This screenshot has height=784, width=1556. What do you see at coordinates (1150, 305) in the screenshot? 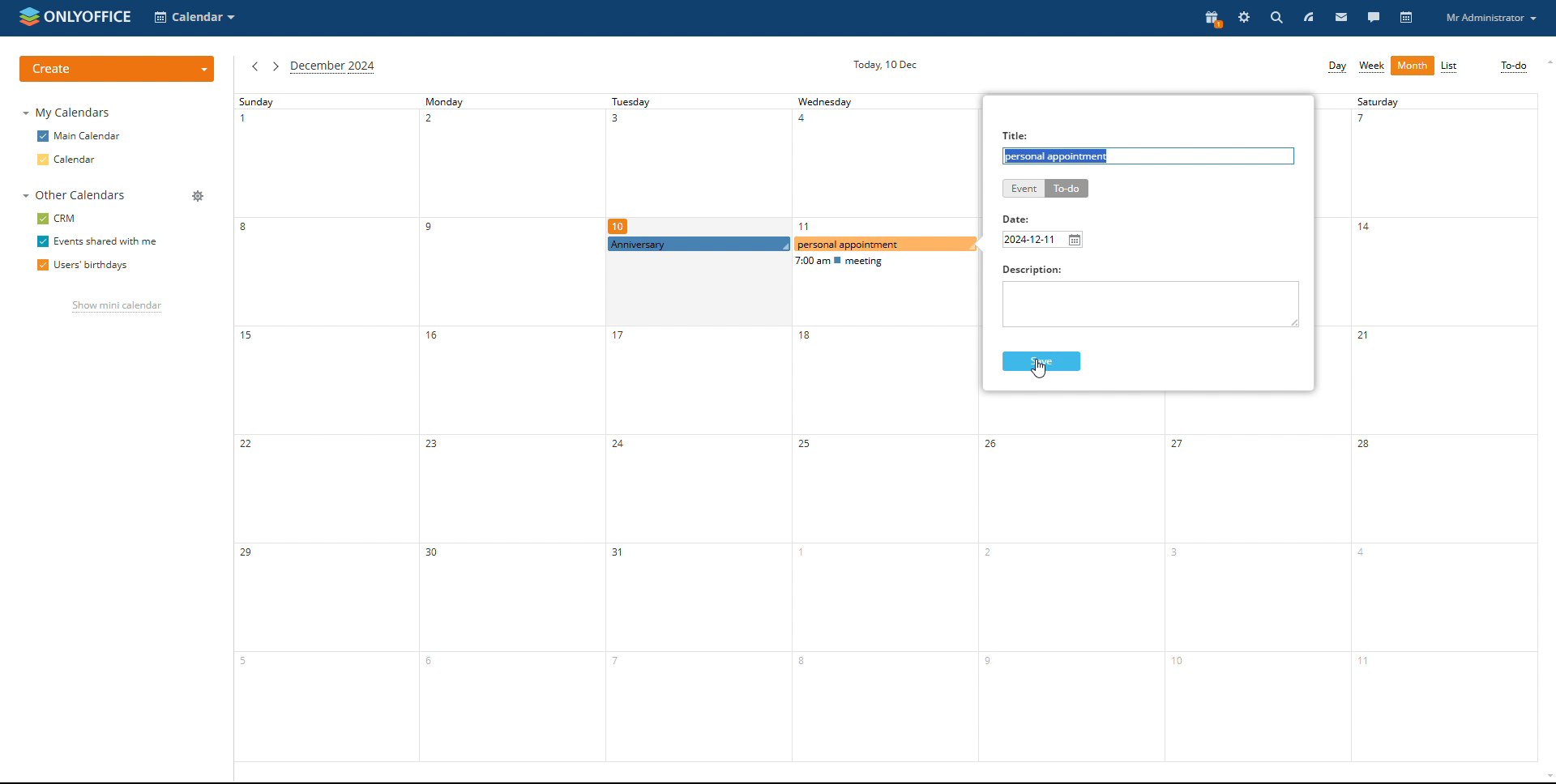
I see `description` at bounding box center [1150, 305].